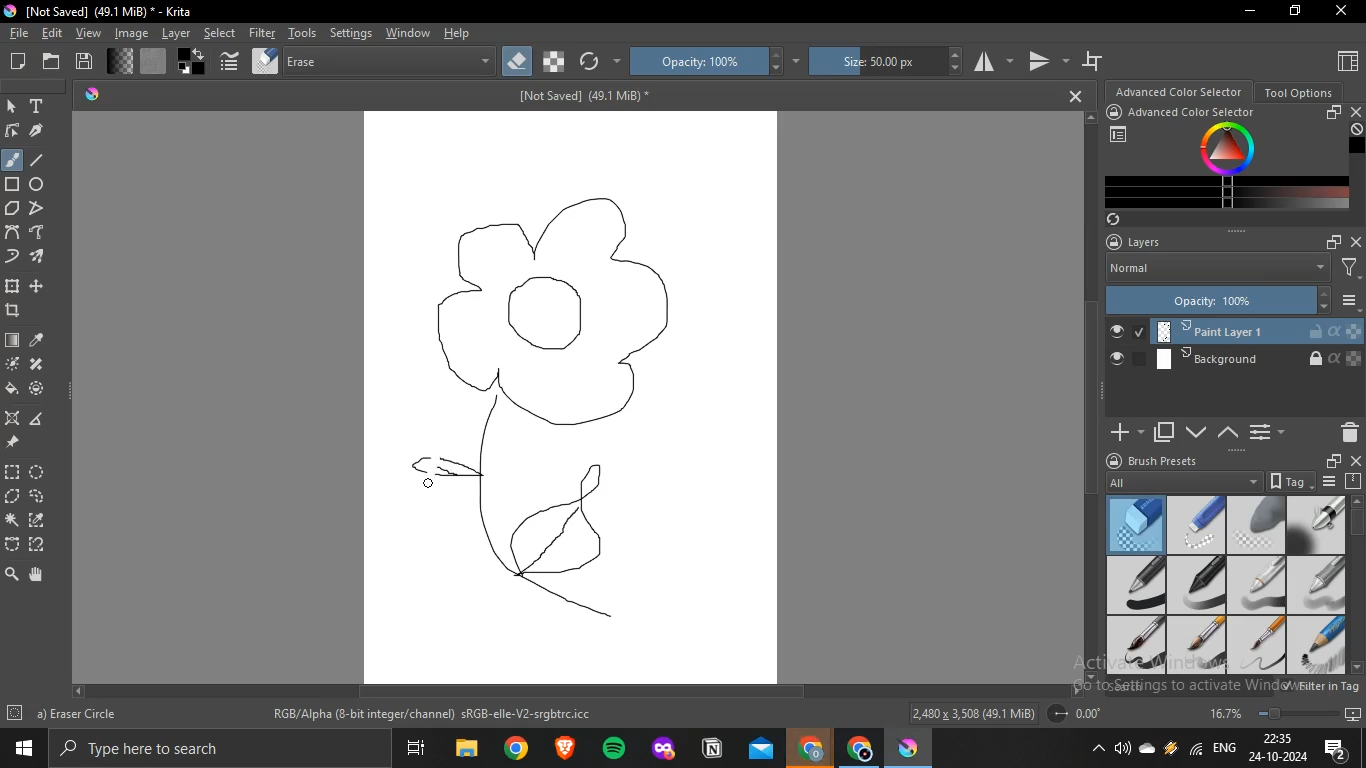 The image size is (1366, 768). I want to click on close, so click(1356, 240).